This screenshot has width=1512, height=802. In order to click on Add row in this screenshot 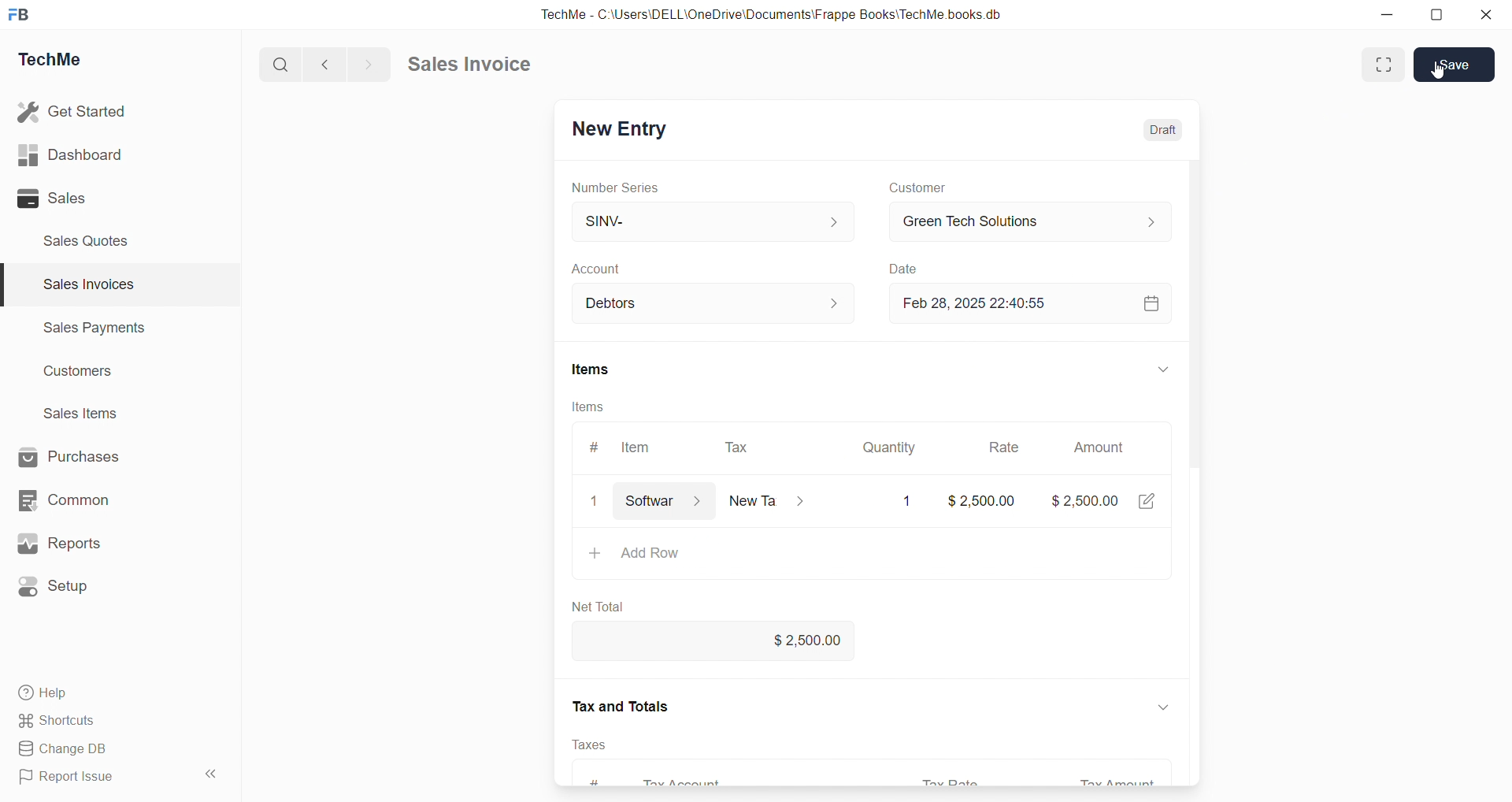, I will do `click(661, 554)`.